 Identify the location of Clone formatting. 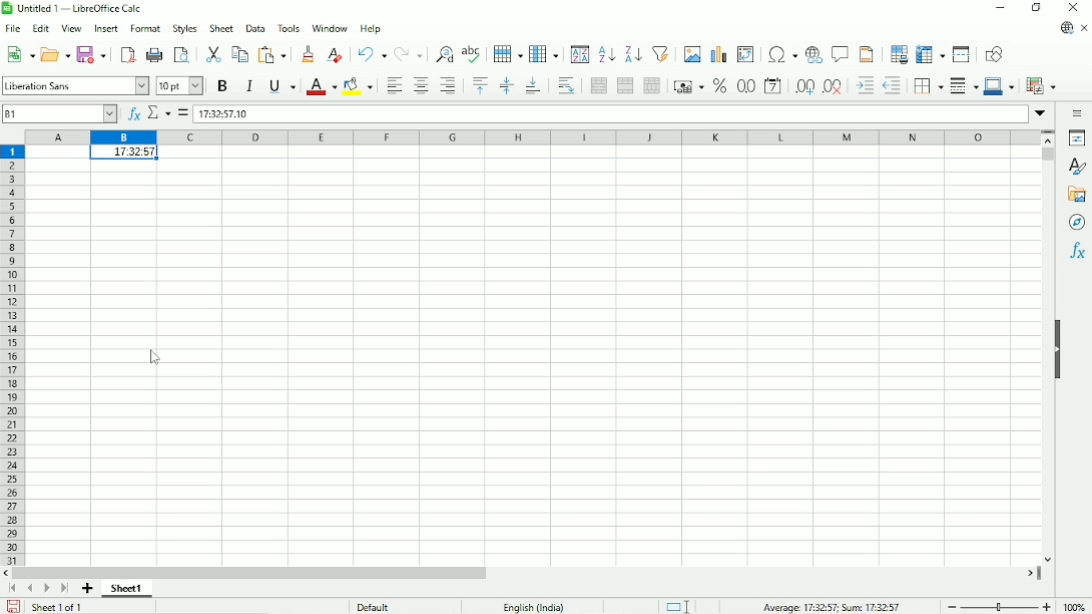
(306, 53).